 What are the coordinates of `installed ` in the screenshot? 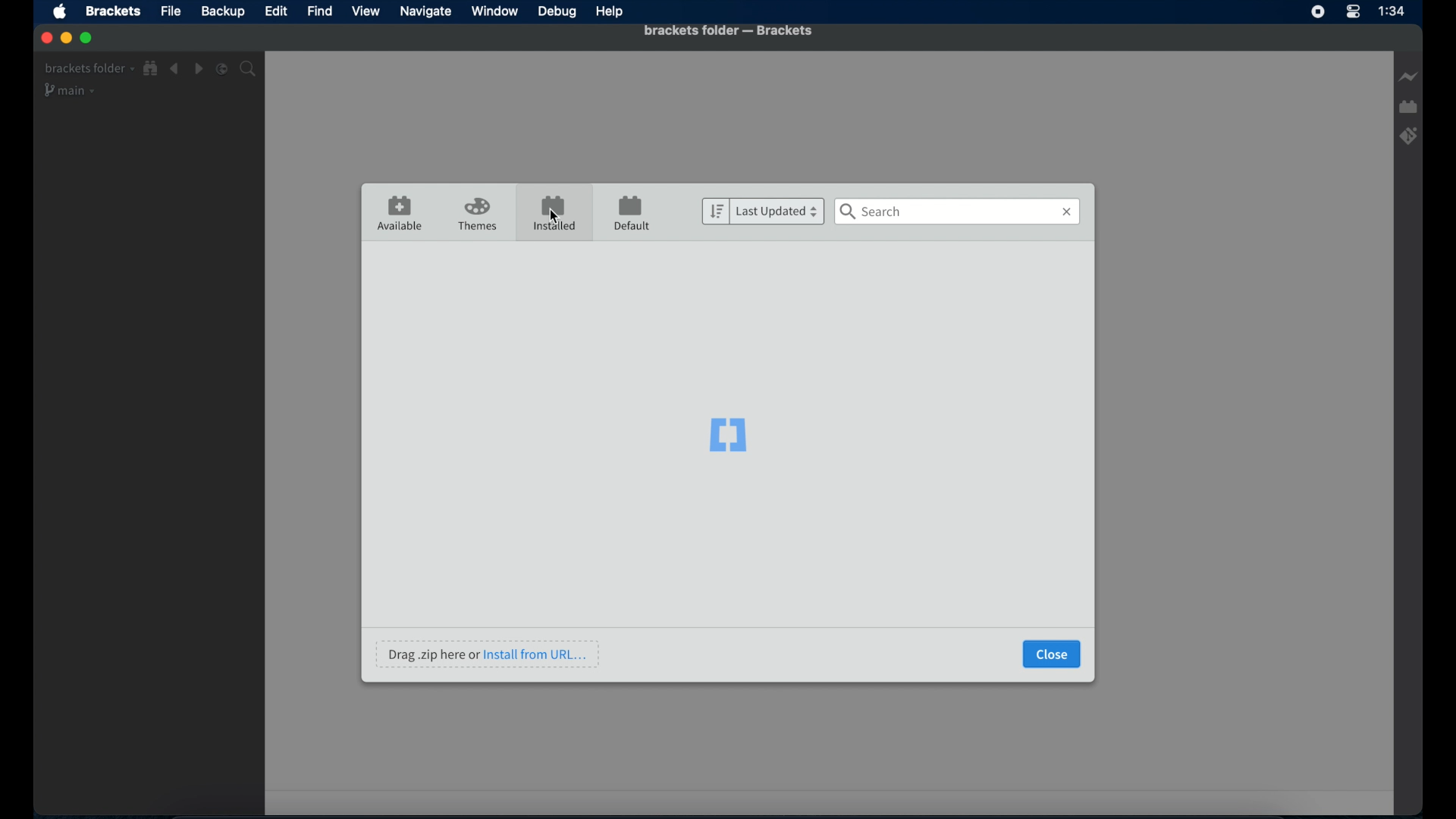 It's located at (553, 212).